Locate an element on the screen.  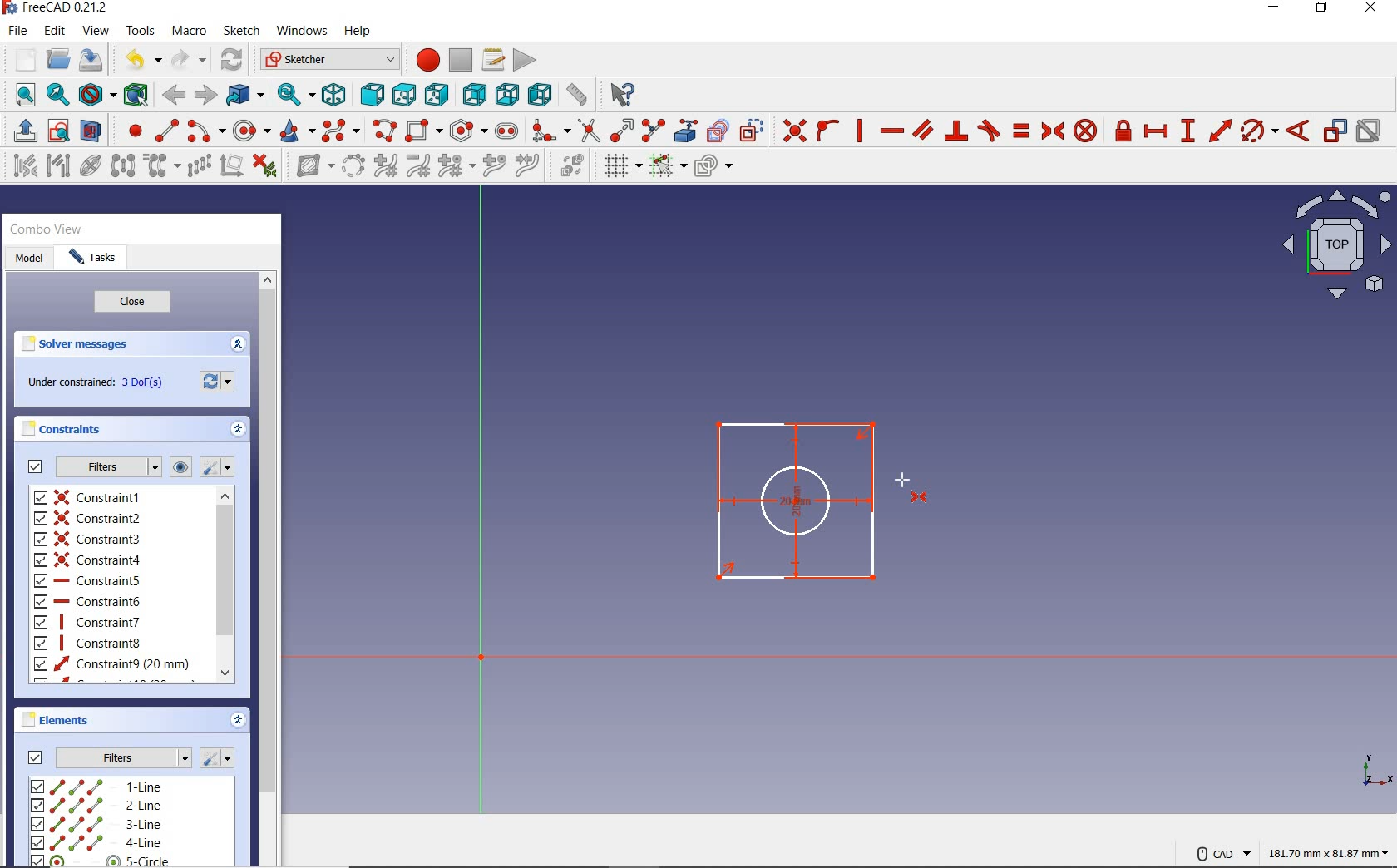
forward is located at coordinates (207, 95).